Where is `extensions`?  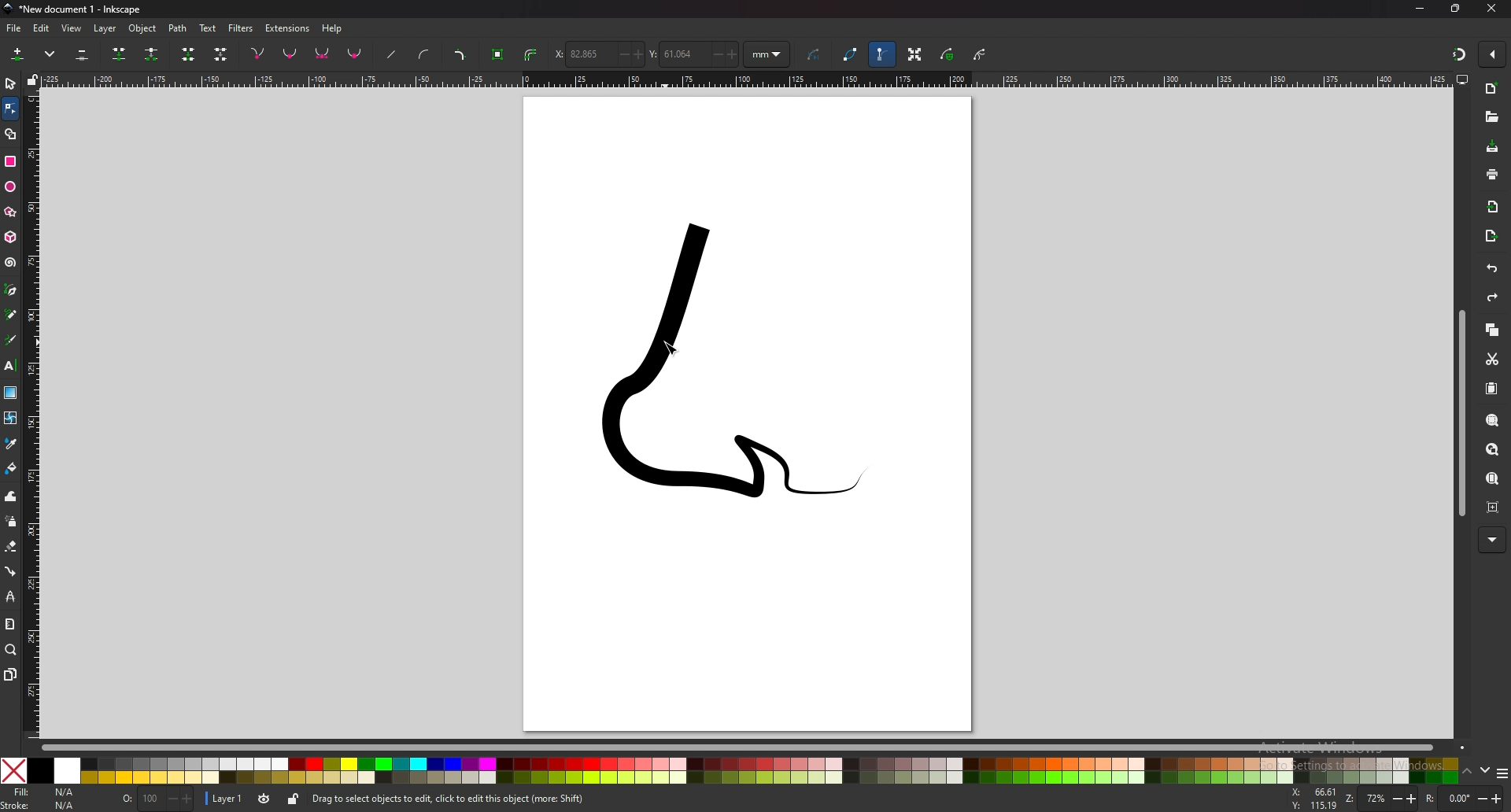 extensions is located at coordinates (288, 27).